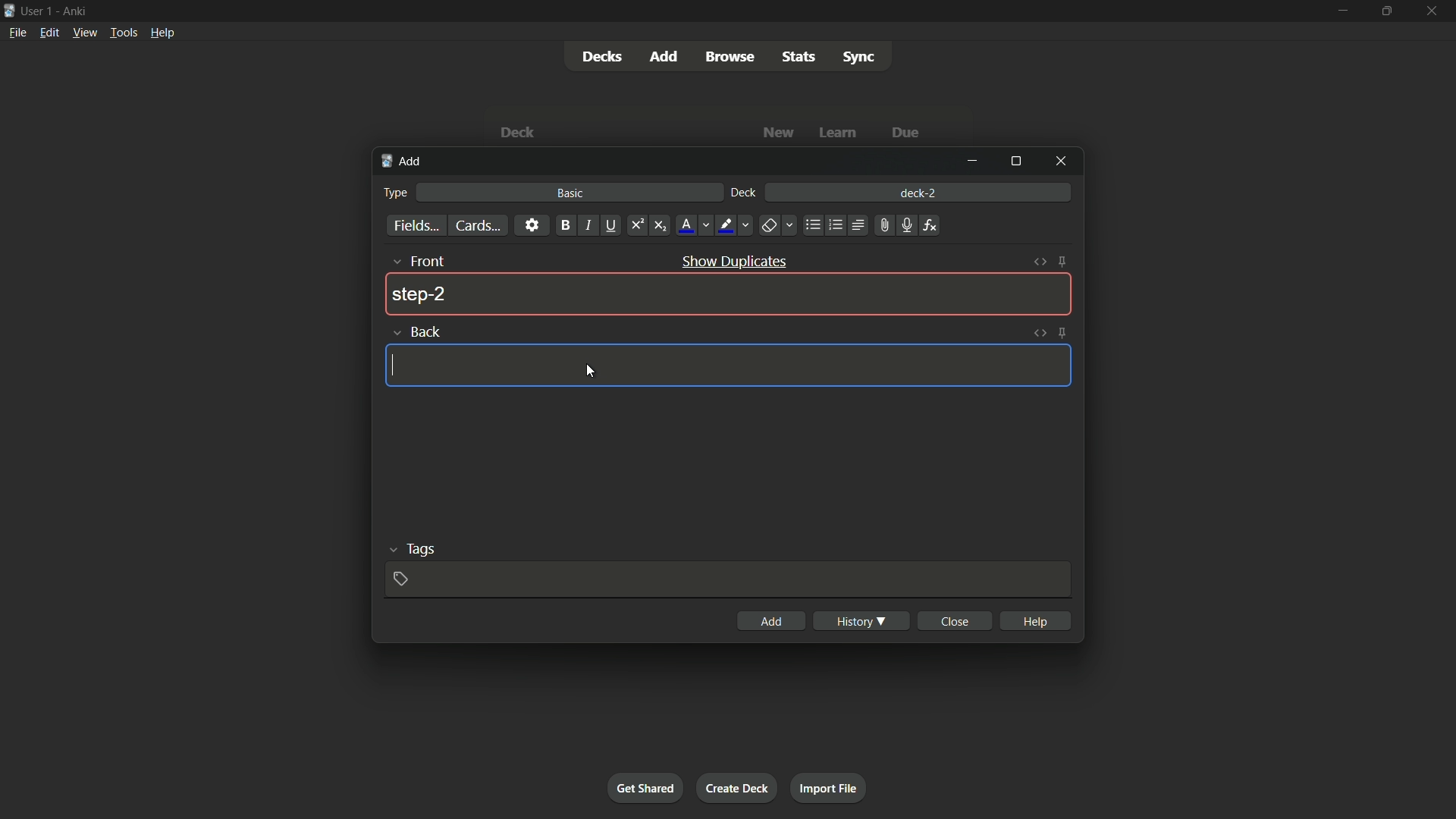  What do you see at coordinates (693, 225) in the screenshot?
I see `font color` at bounding box center [693, 225].